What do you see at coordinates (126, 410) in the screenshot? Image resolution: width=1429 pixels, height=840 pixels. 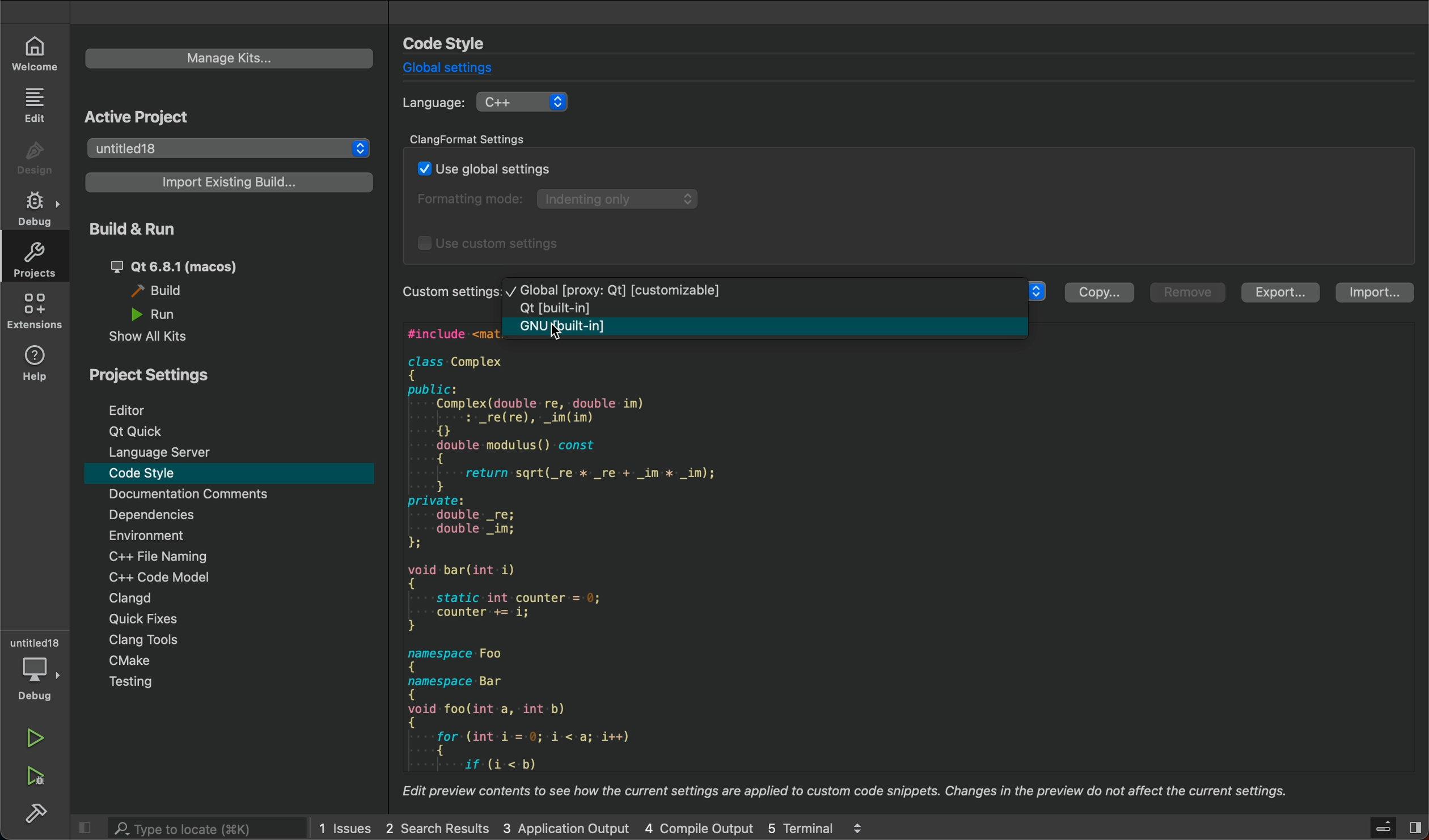 I see `editor` at bounding box center [126, 410].